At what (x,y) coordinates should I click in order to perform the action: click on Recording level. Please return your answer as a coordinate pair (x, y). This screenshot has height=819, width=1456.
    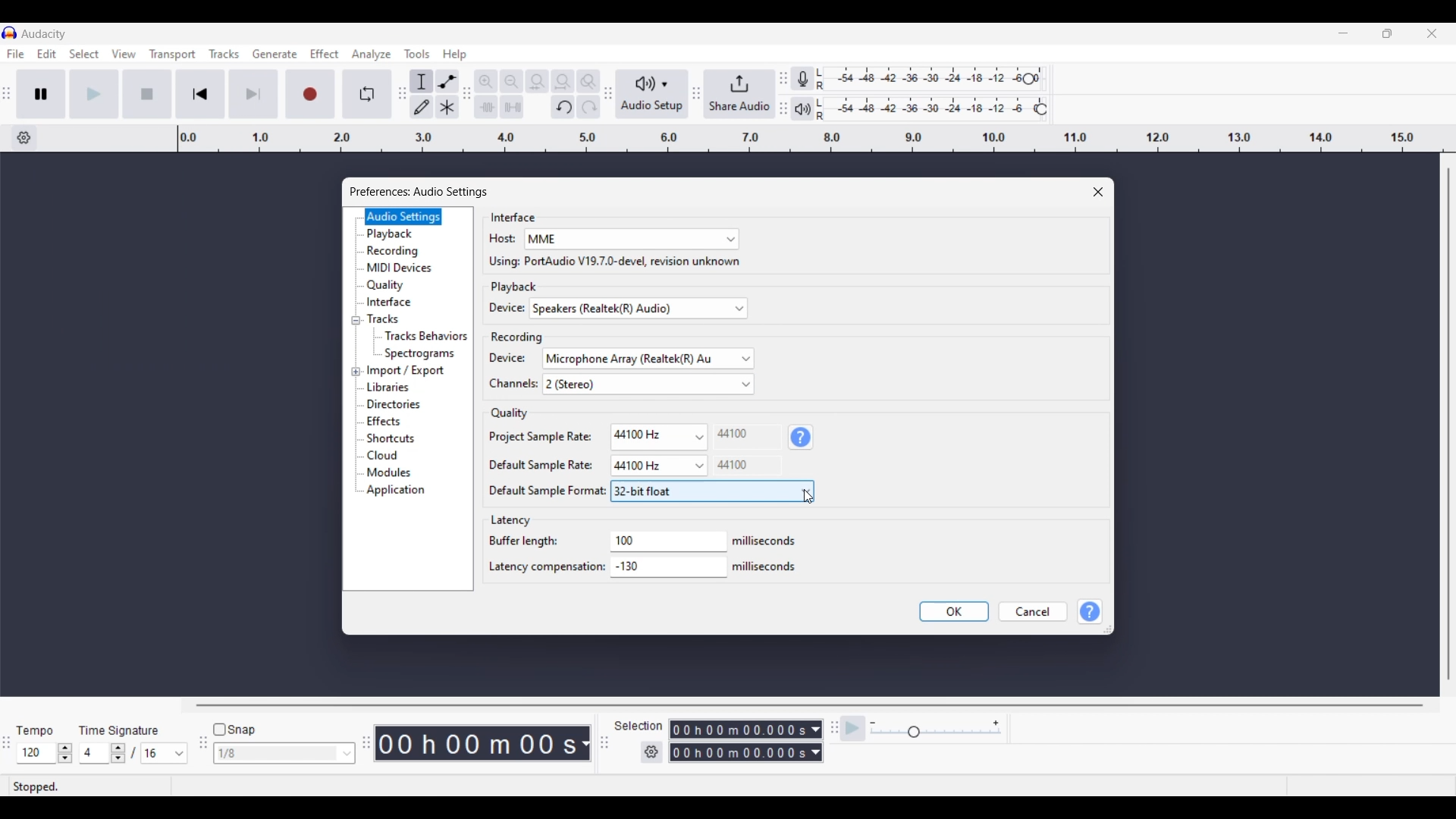
    Looking at the image, I should click on (929, 80).